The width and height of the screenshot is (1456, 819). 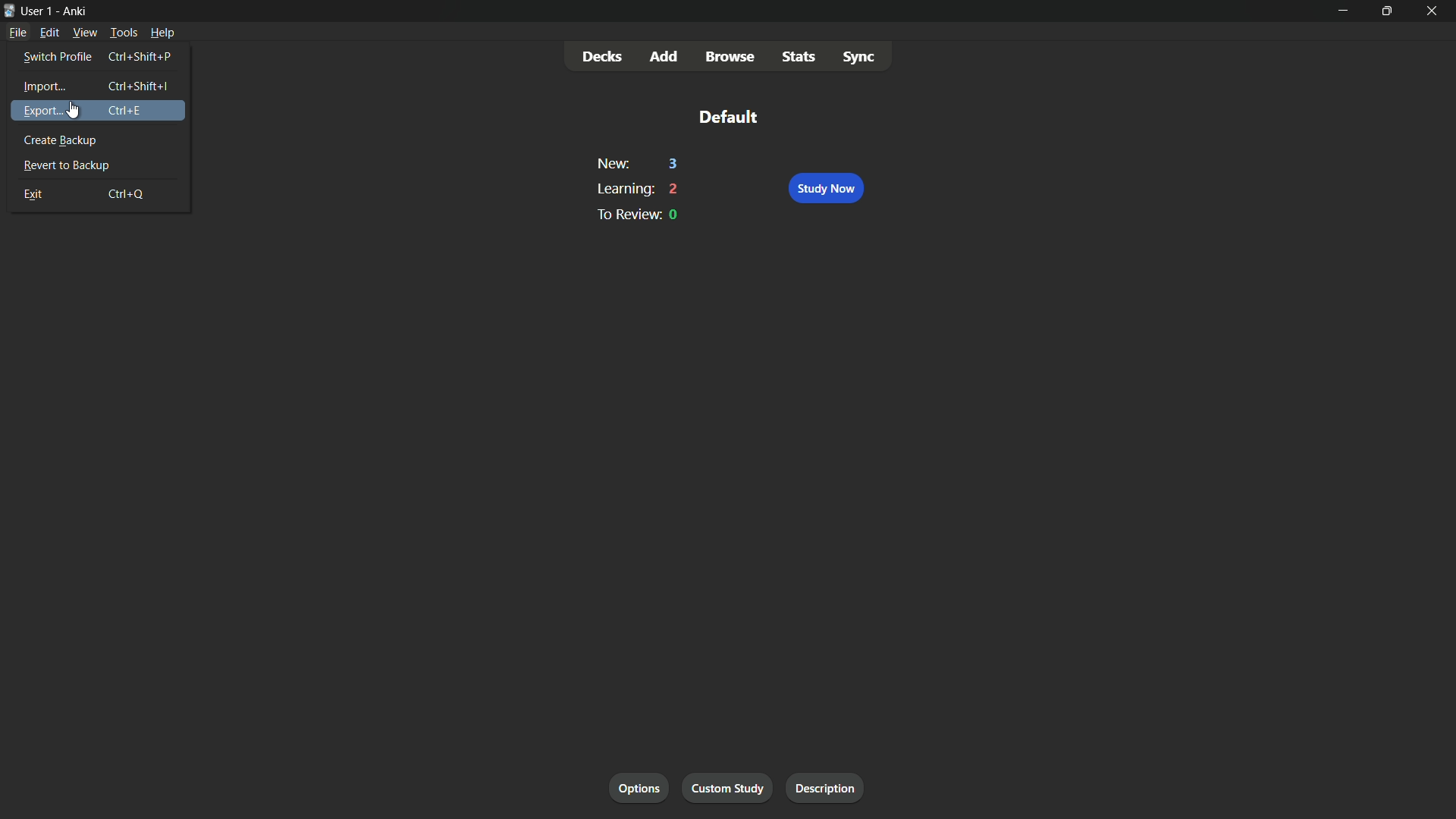 I want to click on 3, so click(x=674, y=165).